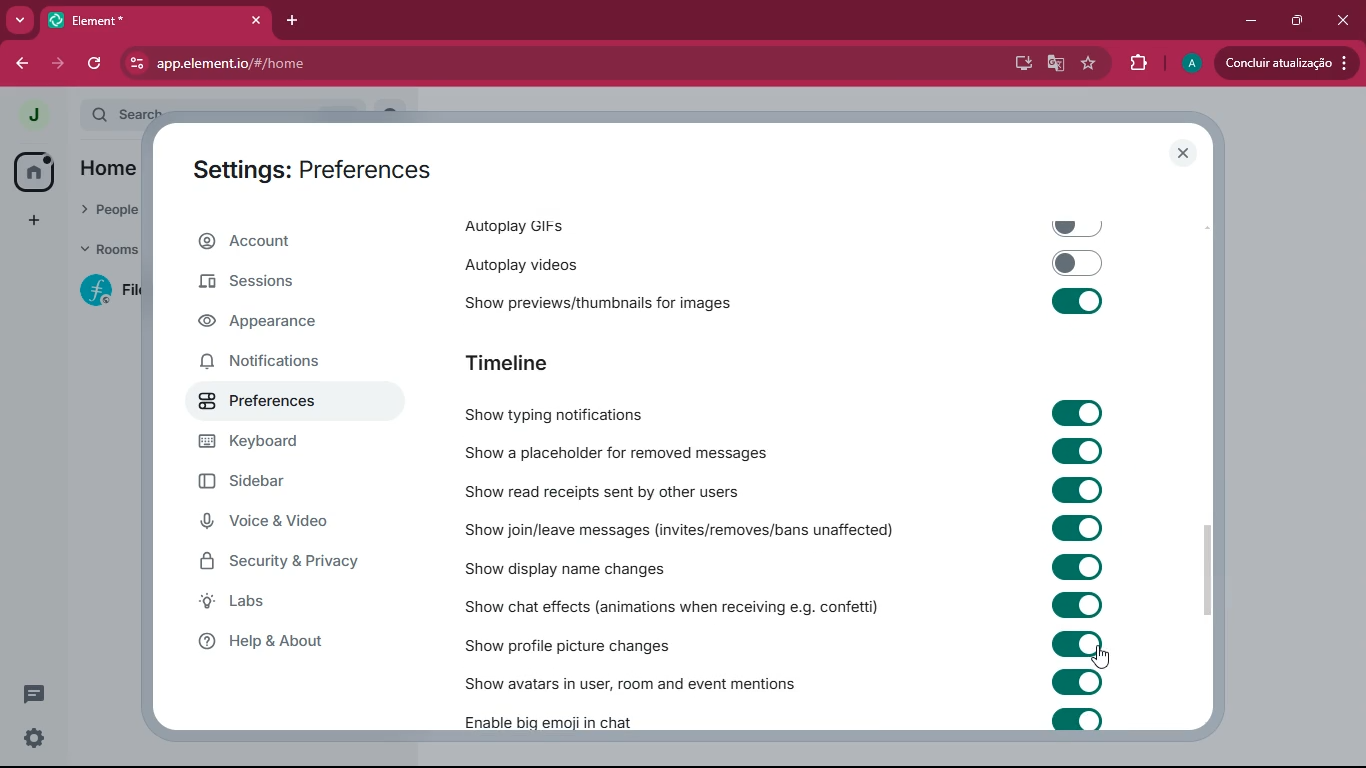  What do you see at coordinates (301, 560) in the screenshot?
I see `security & security` at bounding box center [301, 560].